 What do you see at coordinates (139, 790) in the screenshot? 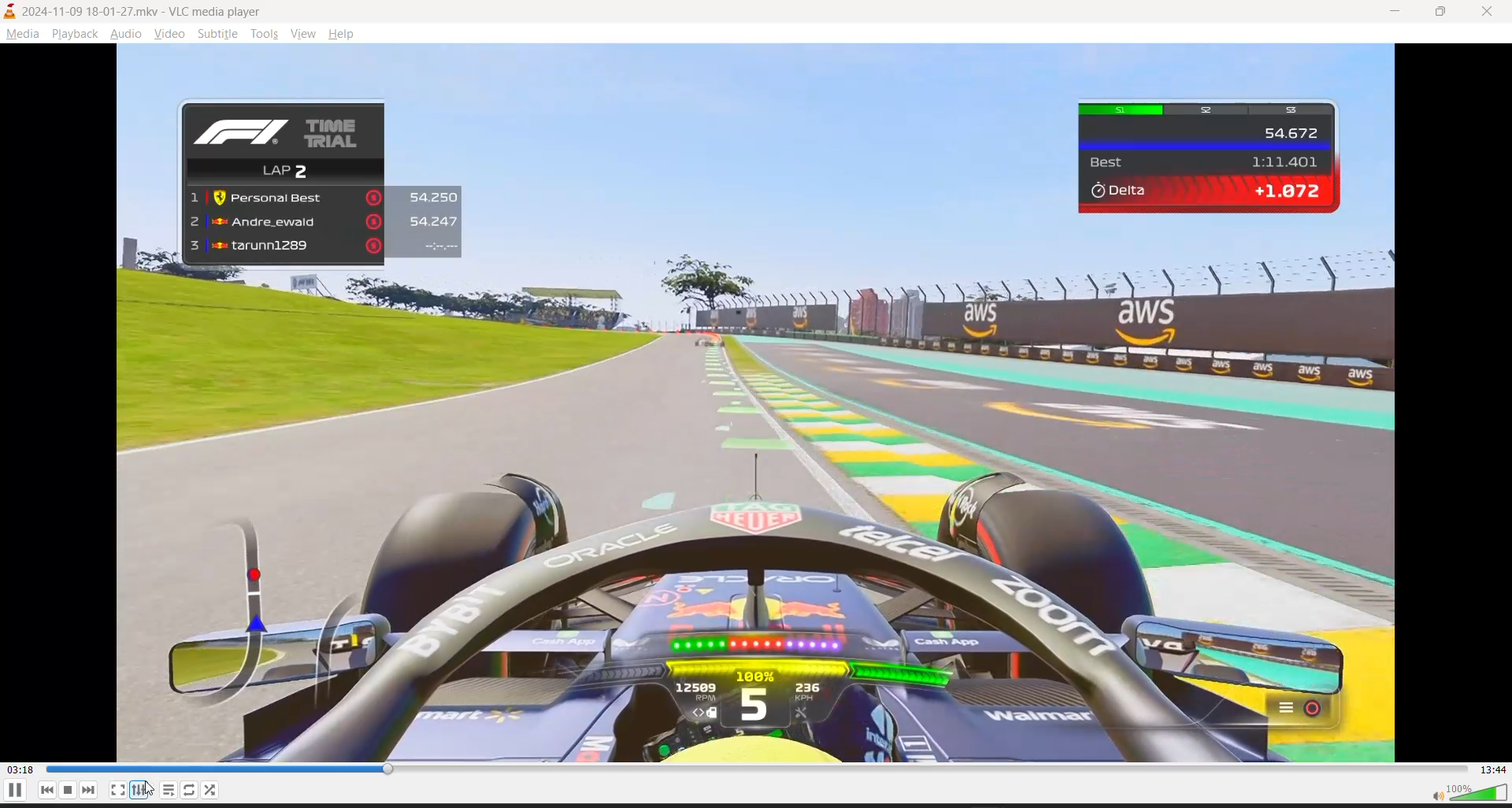
I see `settings` at bounding box center [139, 790].